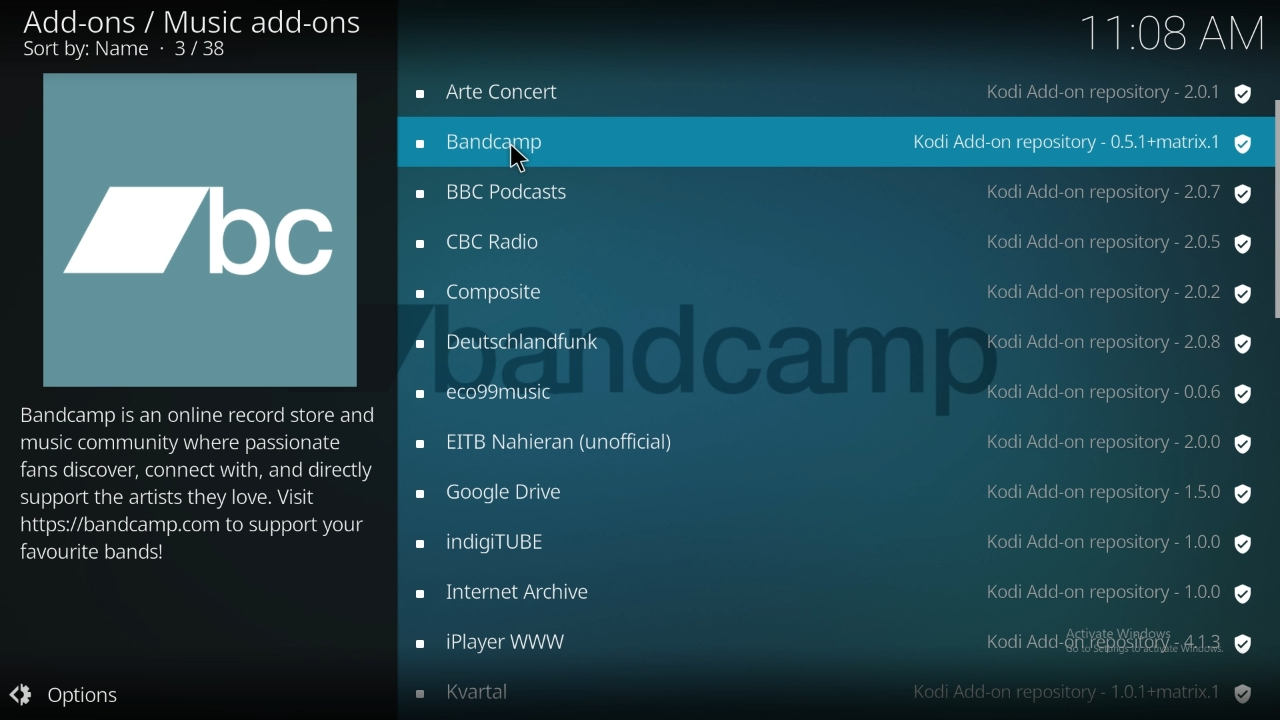 The image size is (1280, 720). What do you see at coordinates (519, 159) in the screenshot?
I see `cursor` at bounding box center [519, 159].